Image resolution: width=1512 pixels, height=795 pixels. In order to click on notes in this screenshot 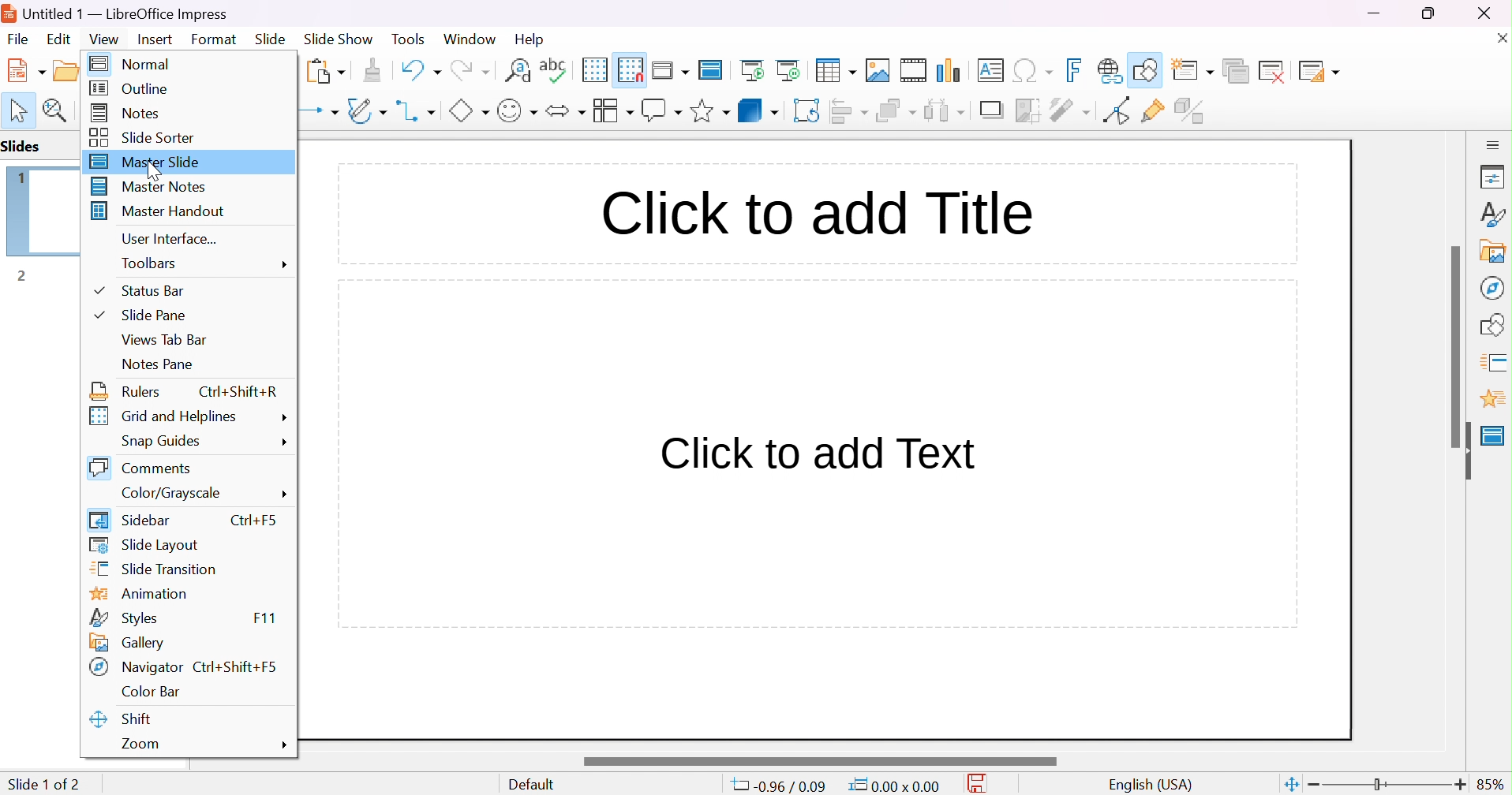, I will do `click(128, 111)`.